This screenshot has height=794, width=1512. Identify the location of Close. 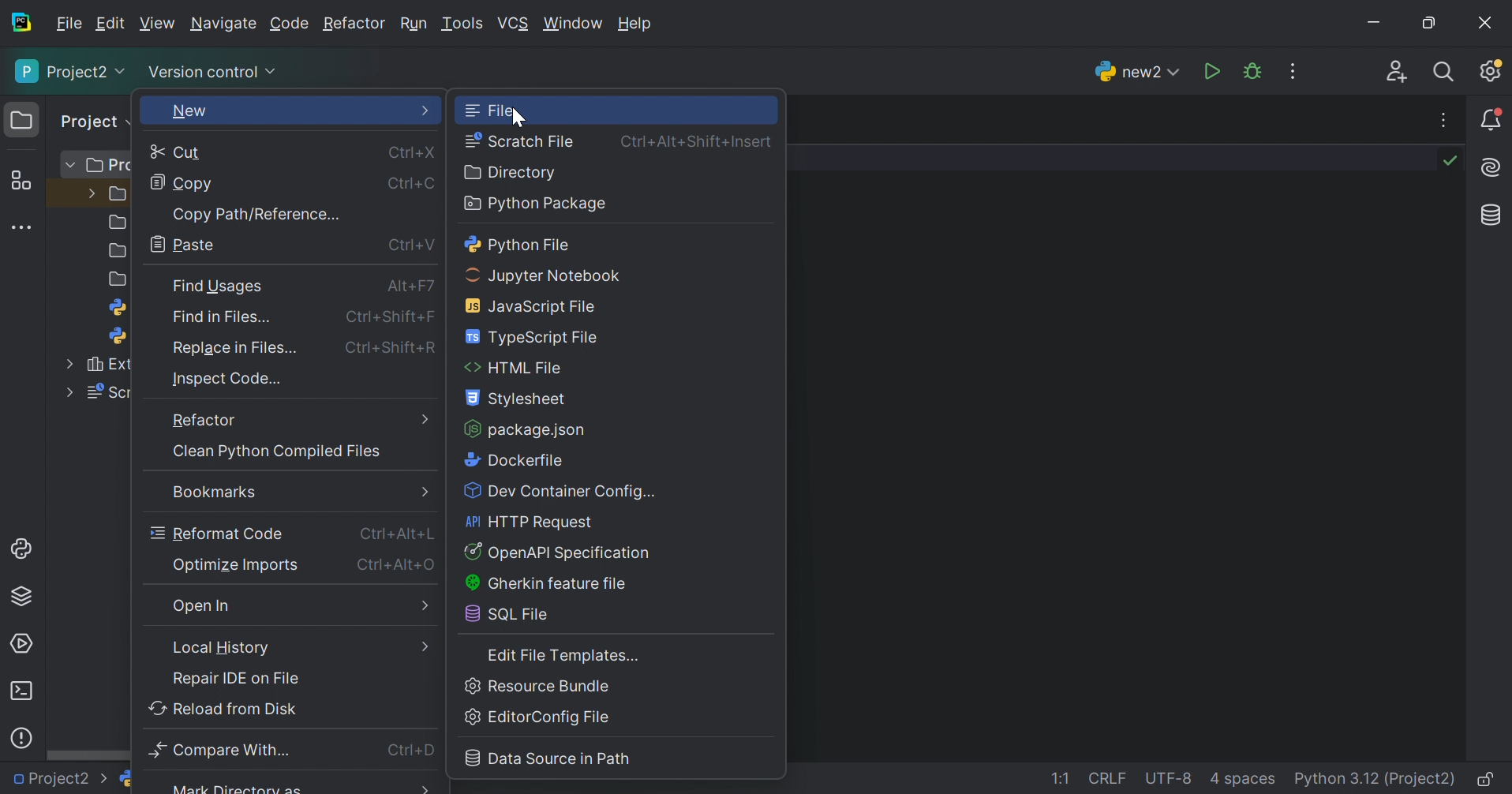
(1488, 22).